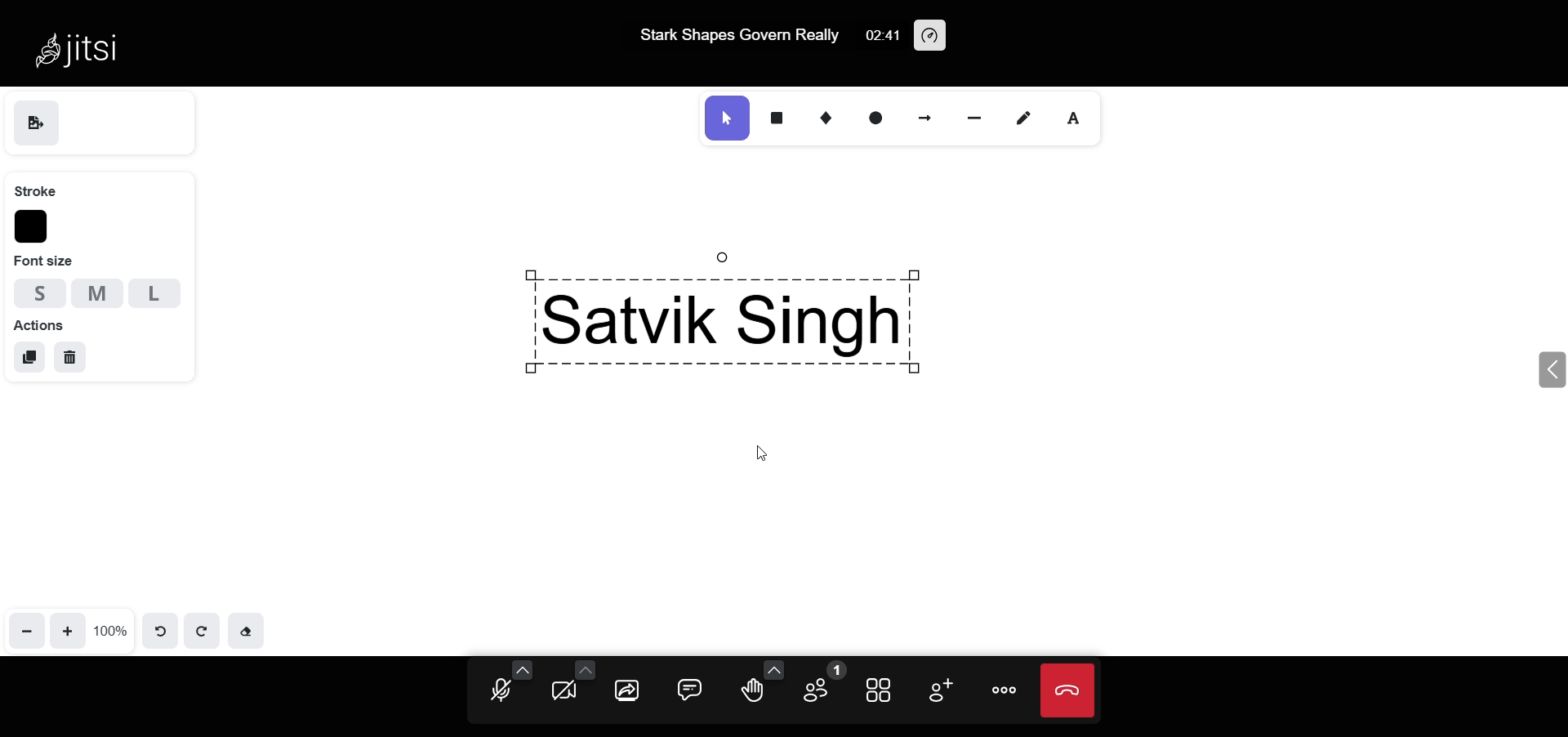 The width and height of the screenshot is (1568, 737). Describe the element at coordinates (768, 454) in the screenshot. I see `cursor` at that location.